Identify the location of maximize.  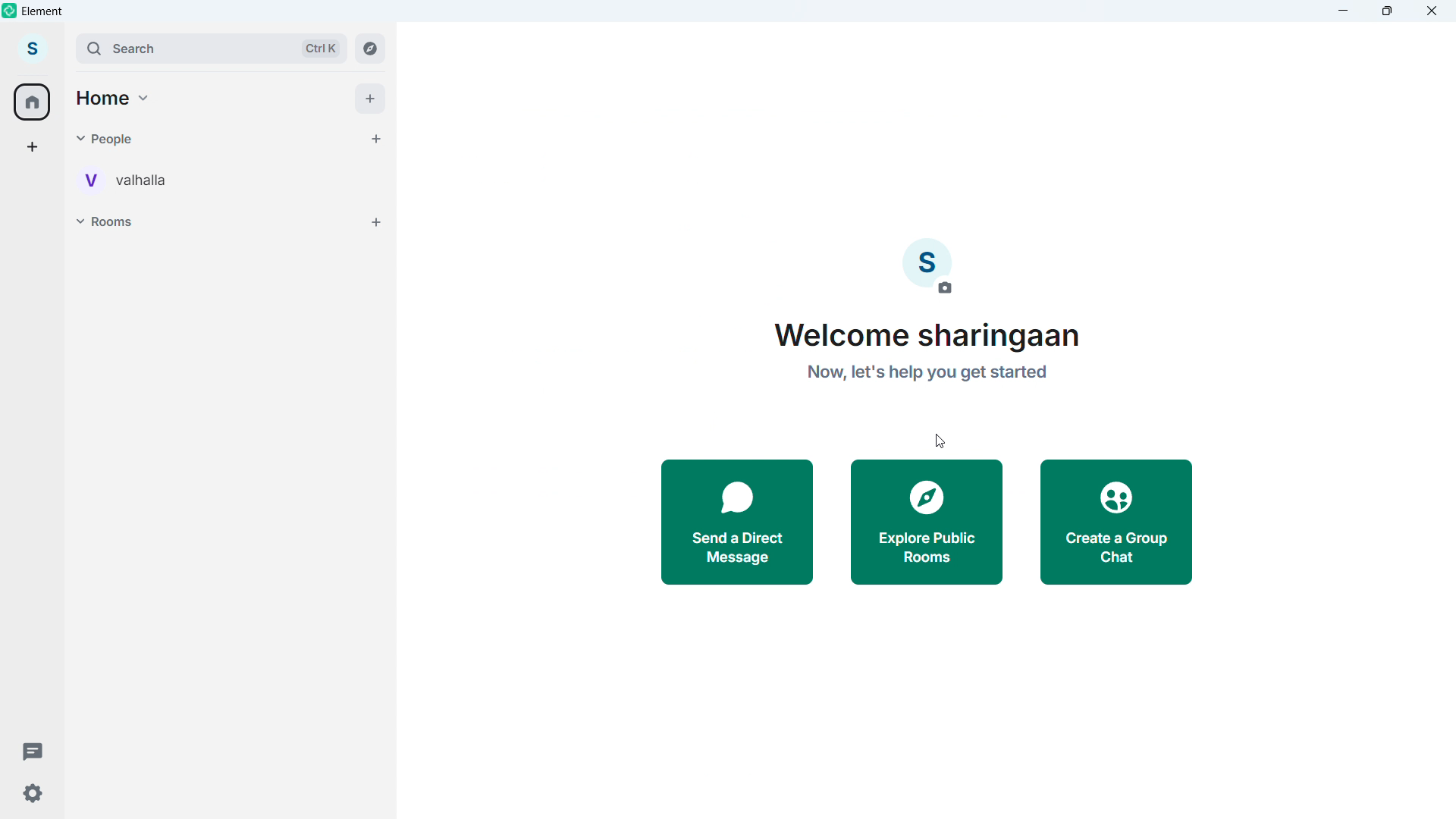
(1388, 11).